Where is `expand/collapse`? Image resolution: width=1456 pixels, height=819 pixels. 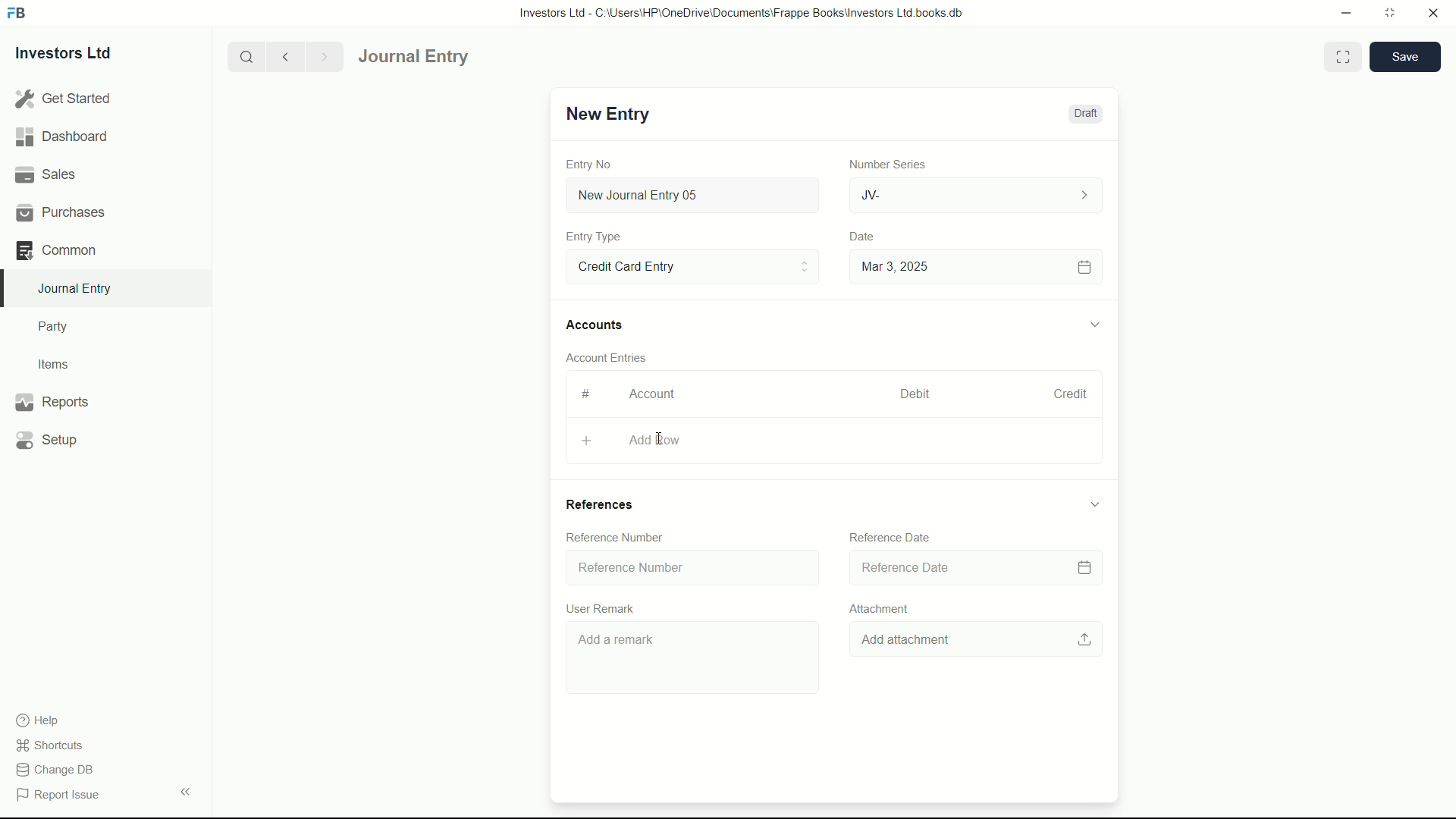 expand/collapse is located at coordinates (1094, 322).